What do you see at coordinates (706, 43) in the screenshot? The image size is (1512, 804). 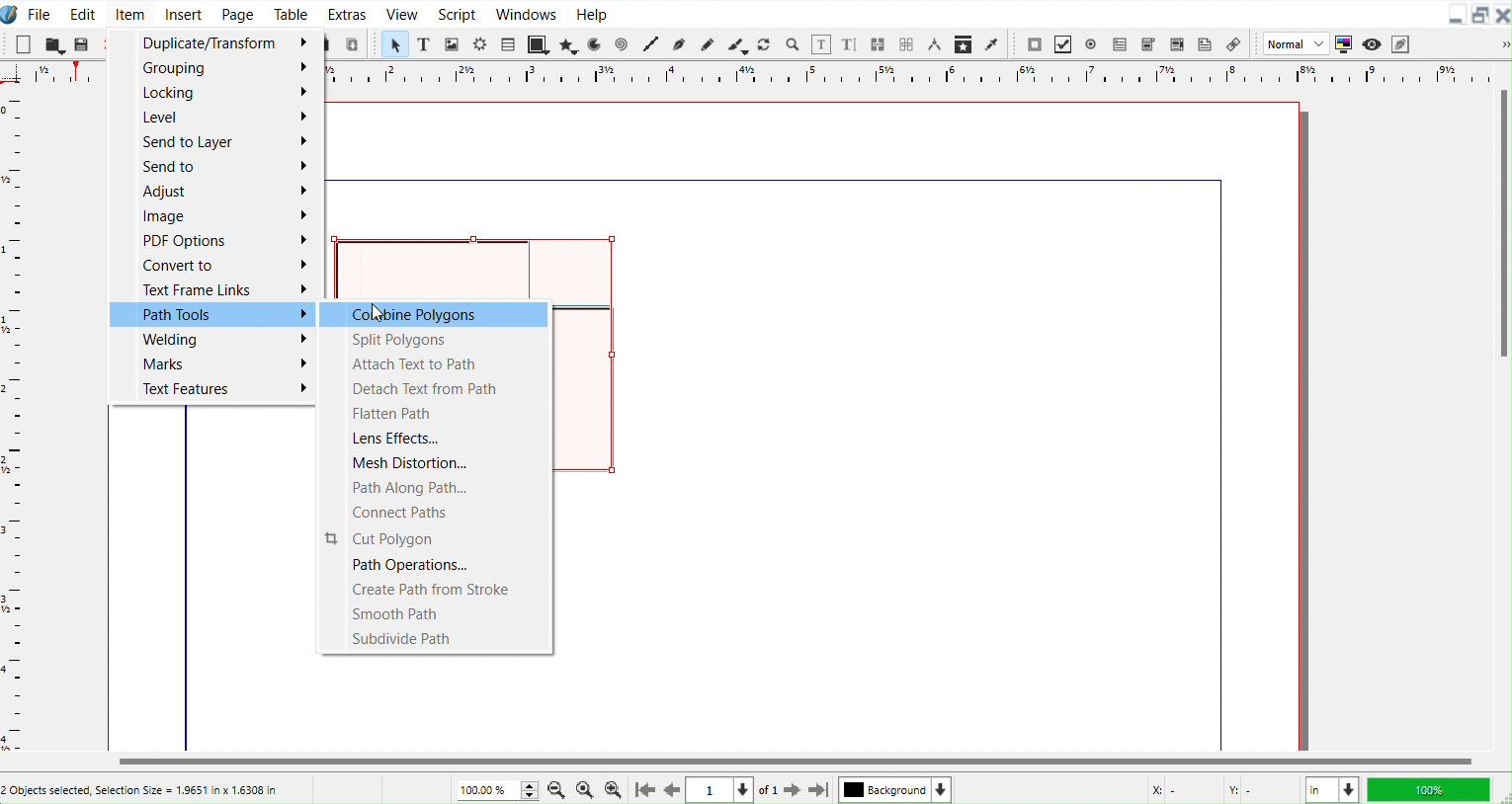 I see `Freehand line` at bounding box center [706, 43].